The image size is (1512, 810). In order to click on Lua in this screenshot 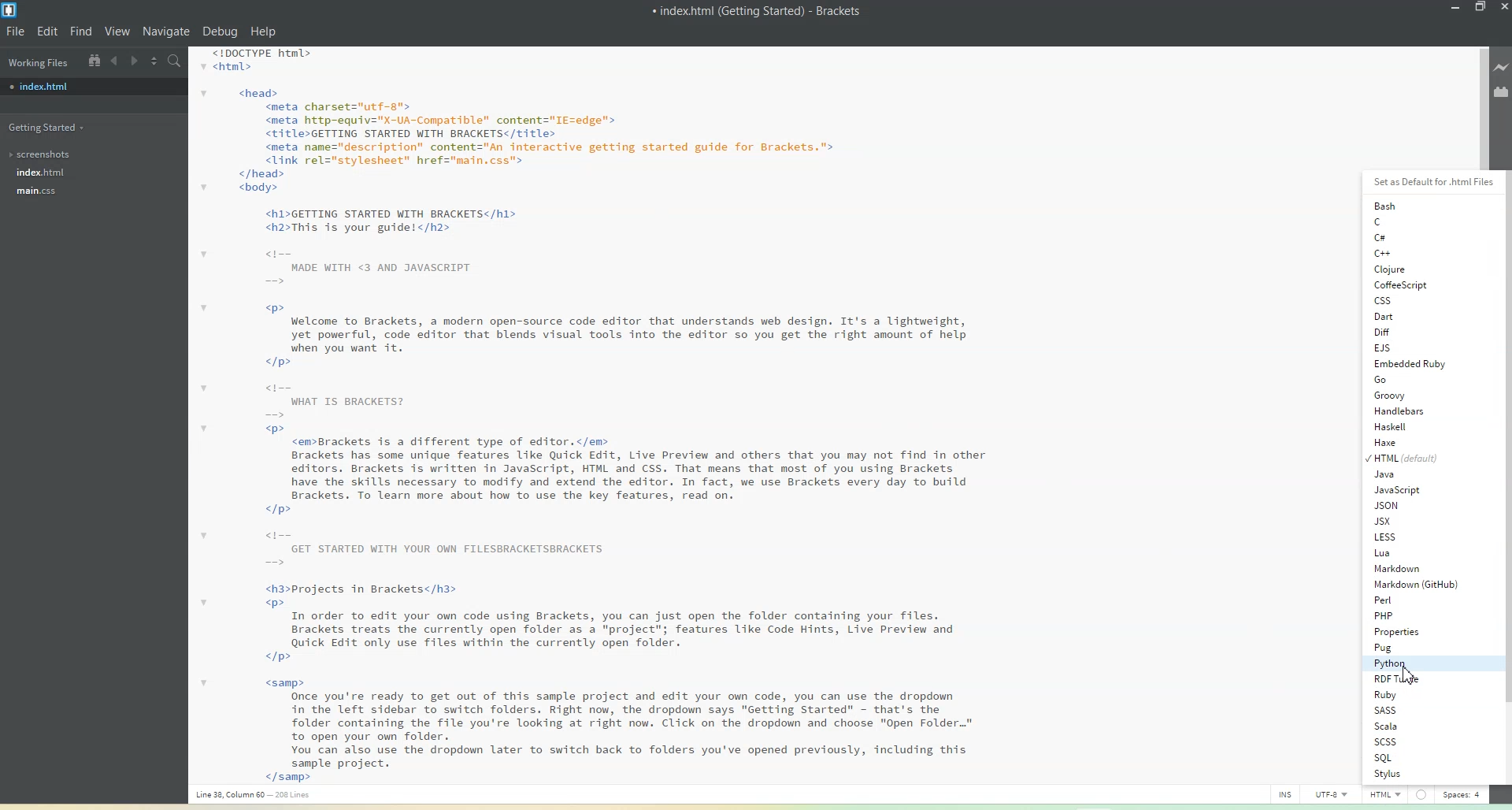, I will do `click(1411, 552)`.